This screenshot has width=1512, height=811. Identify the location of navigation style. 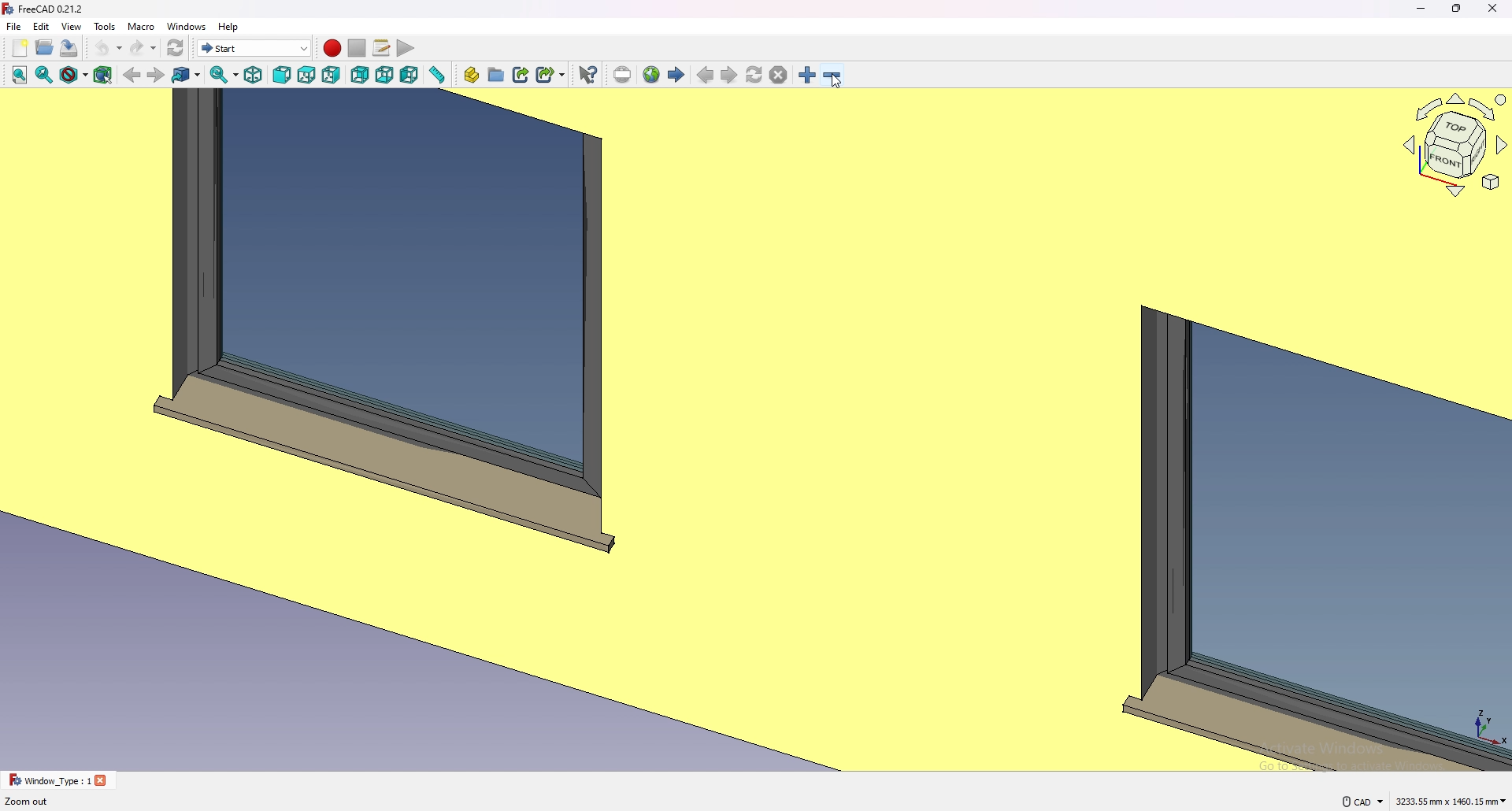
(1362, 802).